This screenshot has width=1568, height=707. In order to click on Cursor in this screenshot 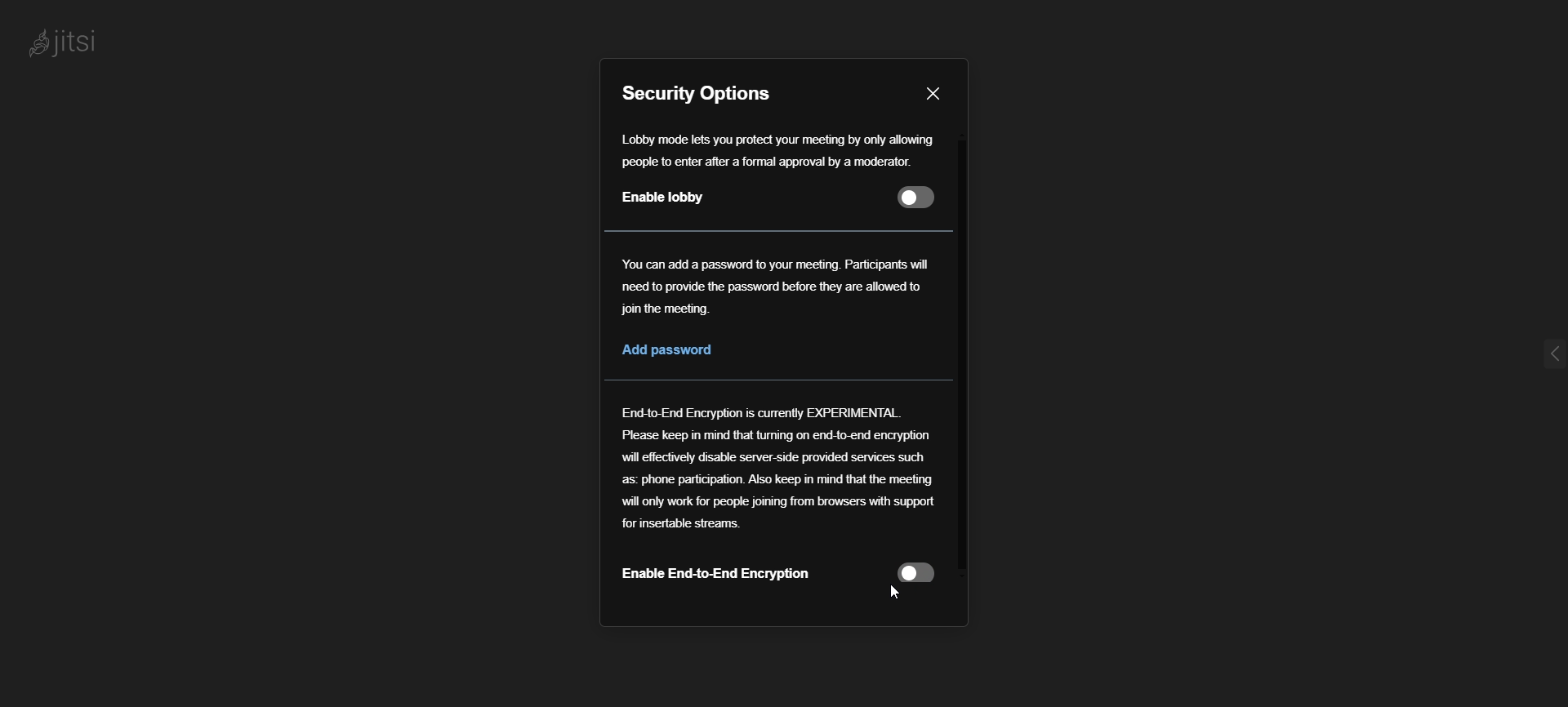, I will do `click(901, 594)`.